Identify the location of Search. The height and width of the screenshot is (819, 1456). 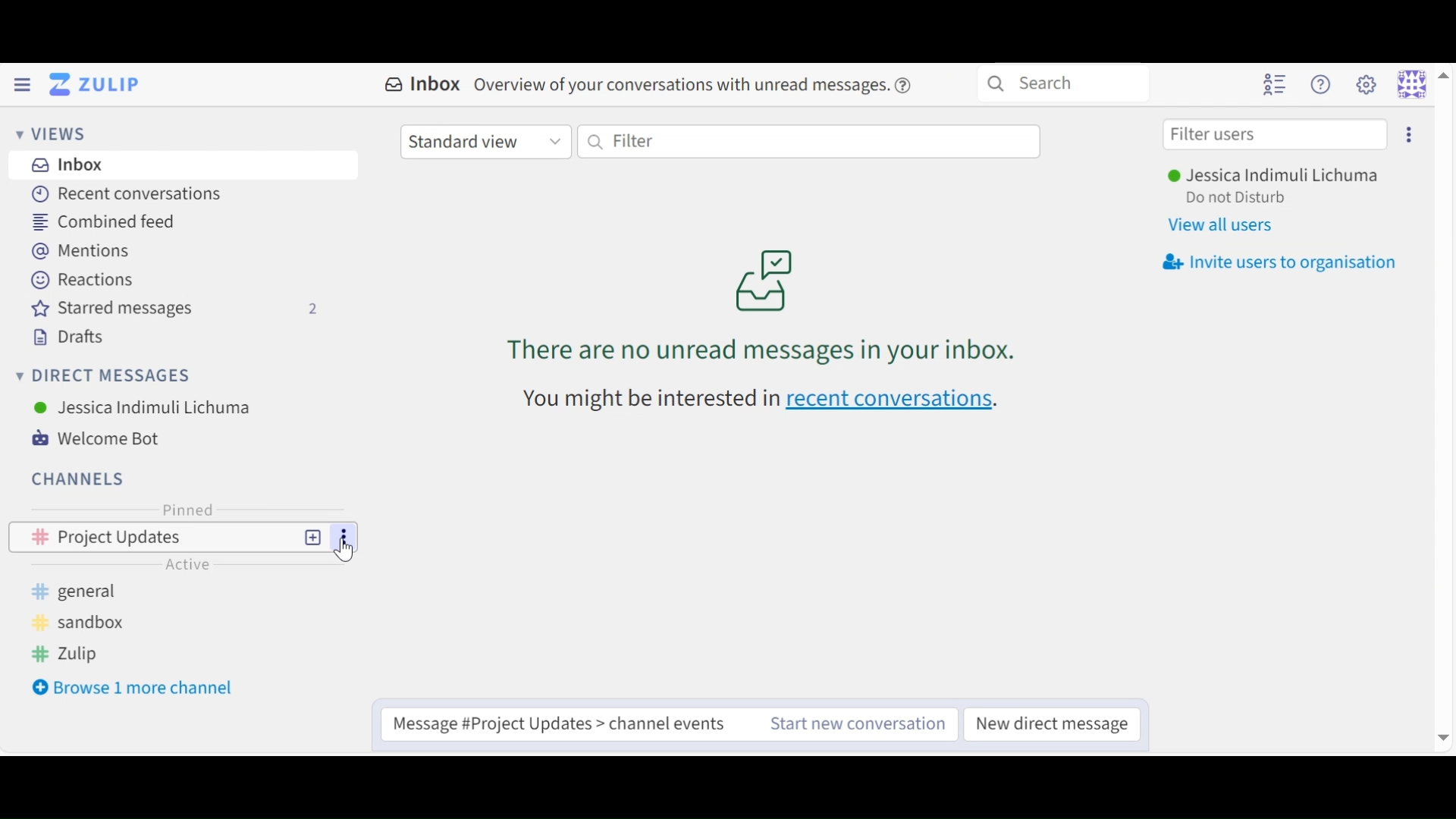
(1064, 84).